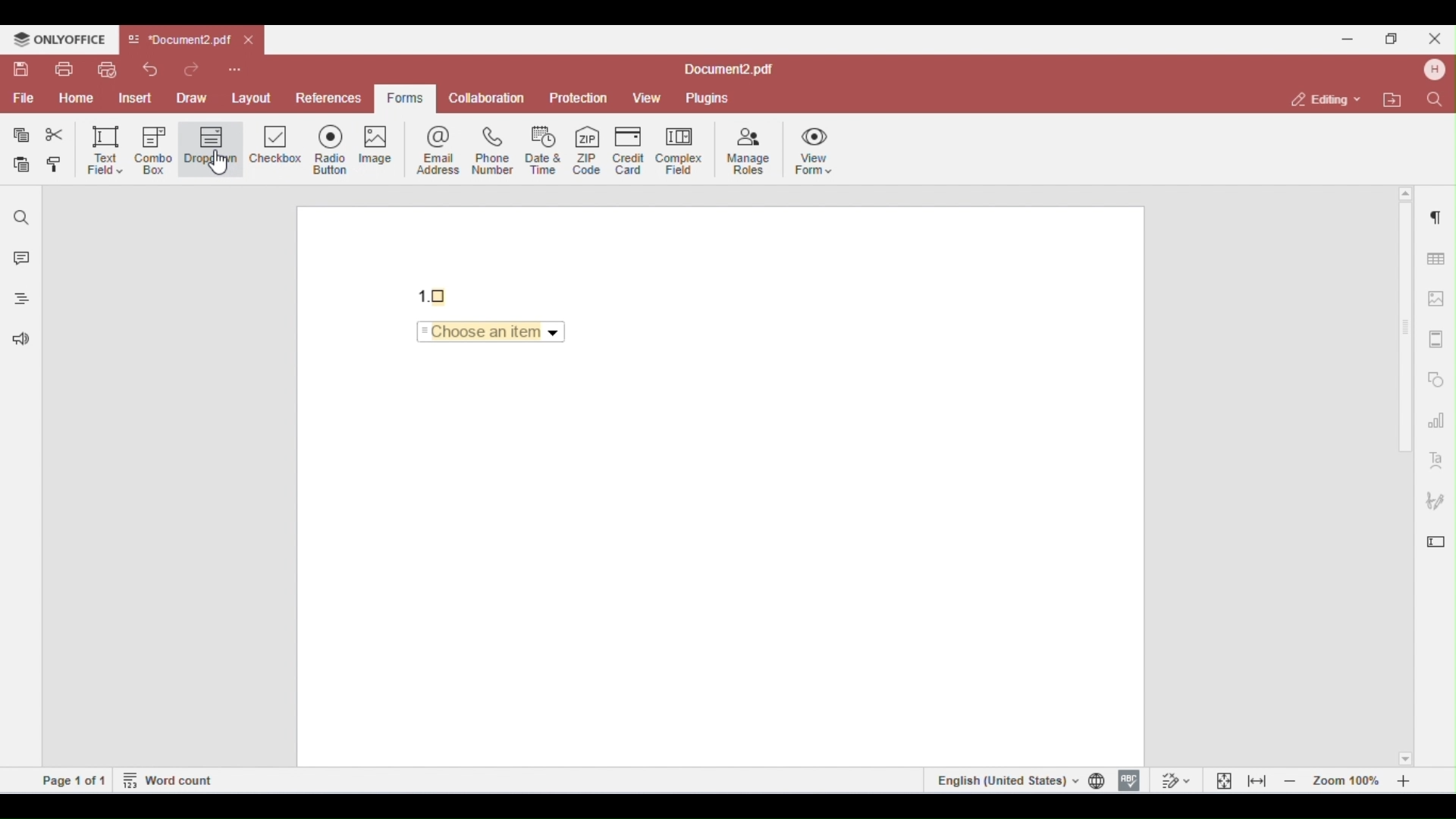  Describe the element at coordinates (327, 98) in the screenshot. I see `references` at that location.